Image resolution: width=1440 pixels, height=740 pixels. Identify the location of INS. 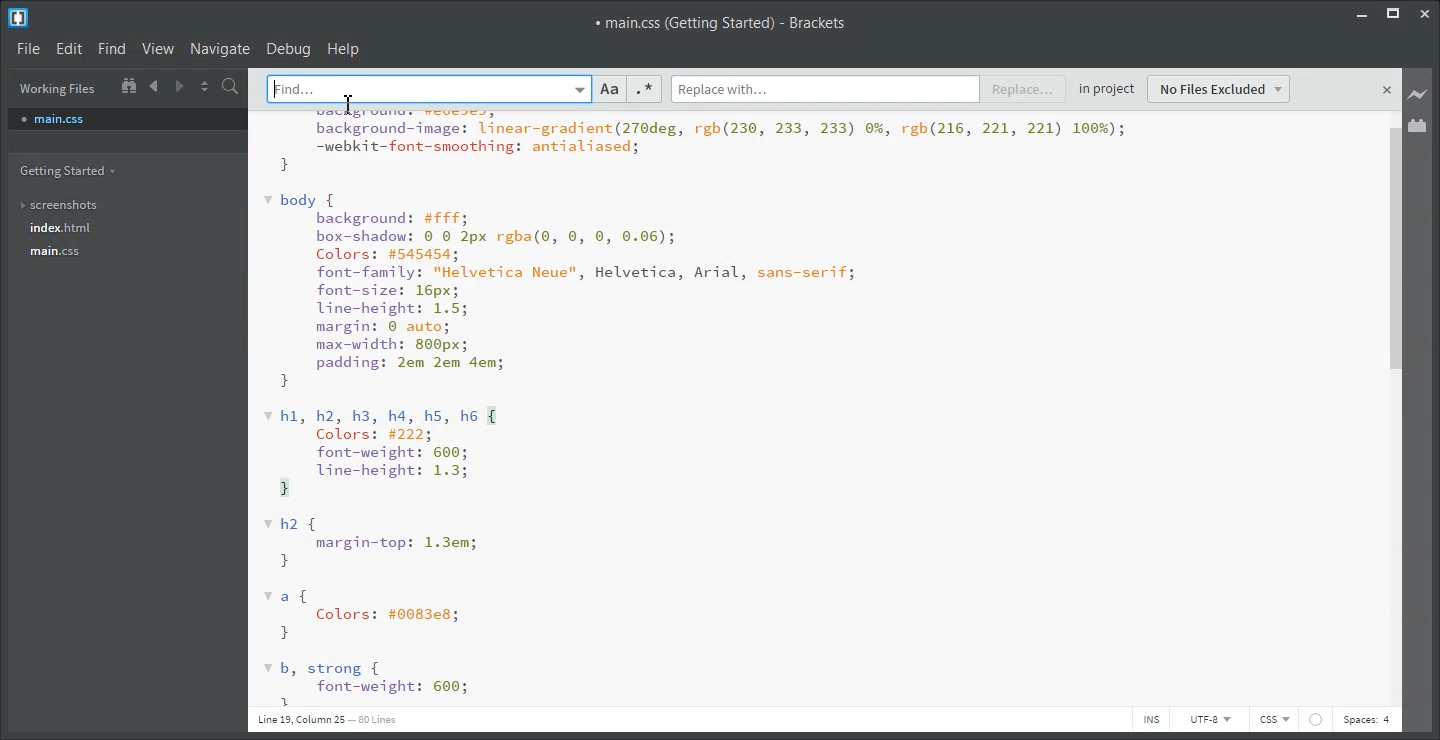
(1150, 719).